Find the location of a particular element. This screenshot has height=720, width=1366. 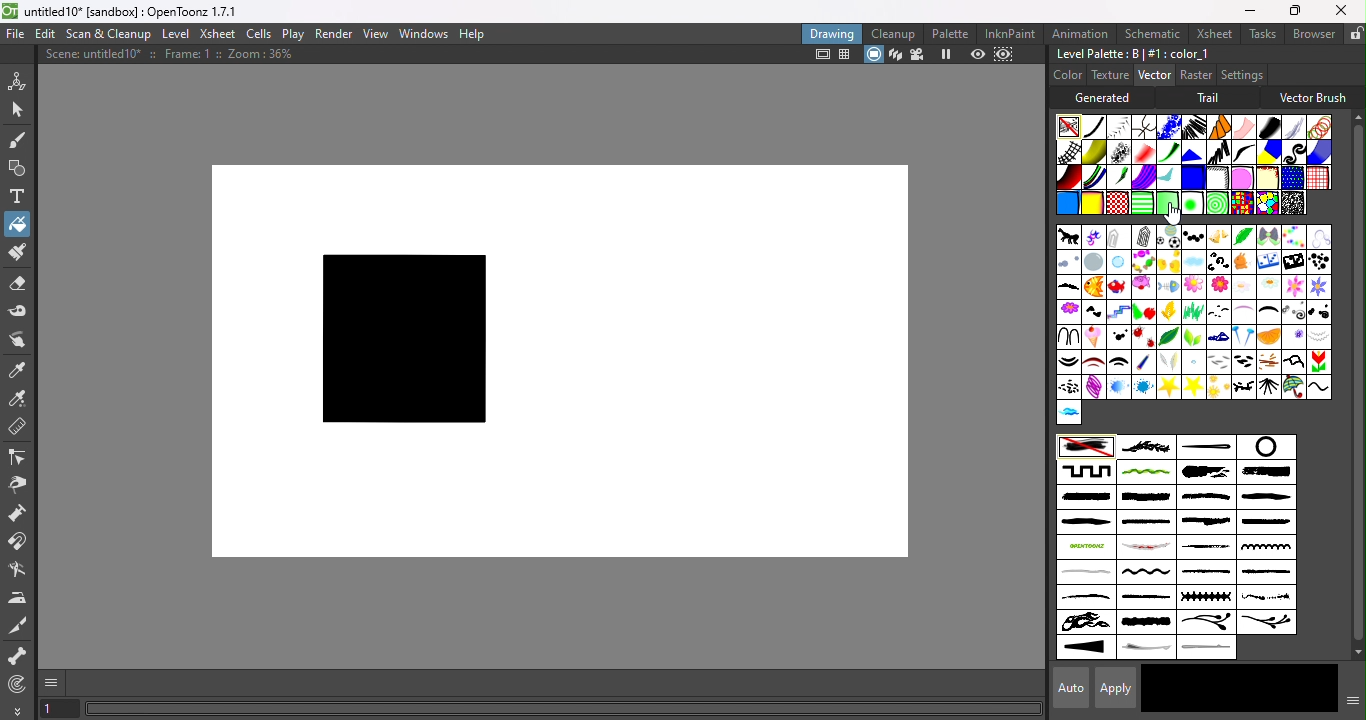

Scene details is located at coordinates (177, 57).